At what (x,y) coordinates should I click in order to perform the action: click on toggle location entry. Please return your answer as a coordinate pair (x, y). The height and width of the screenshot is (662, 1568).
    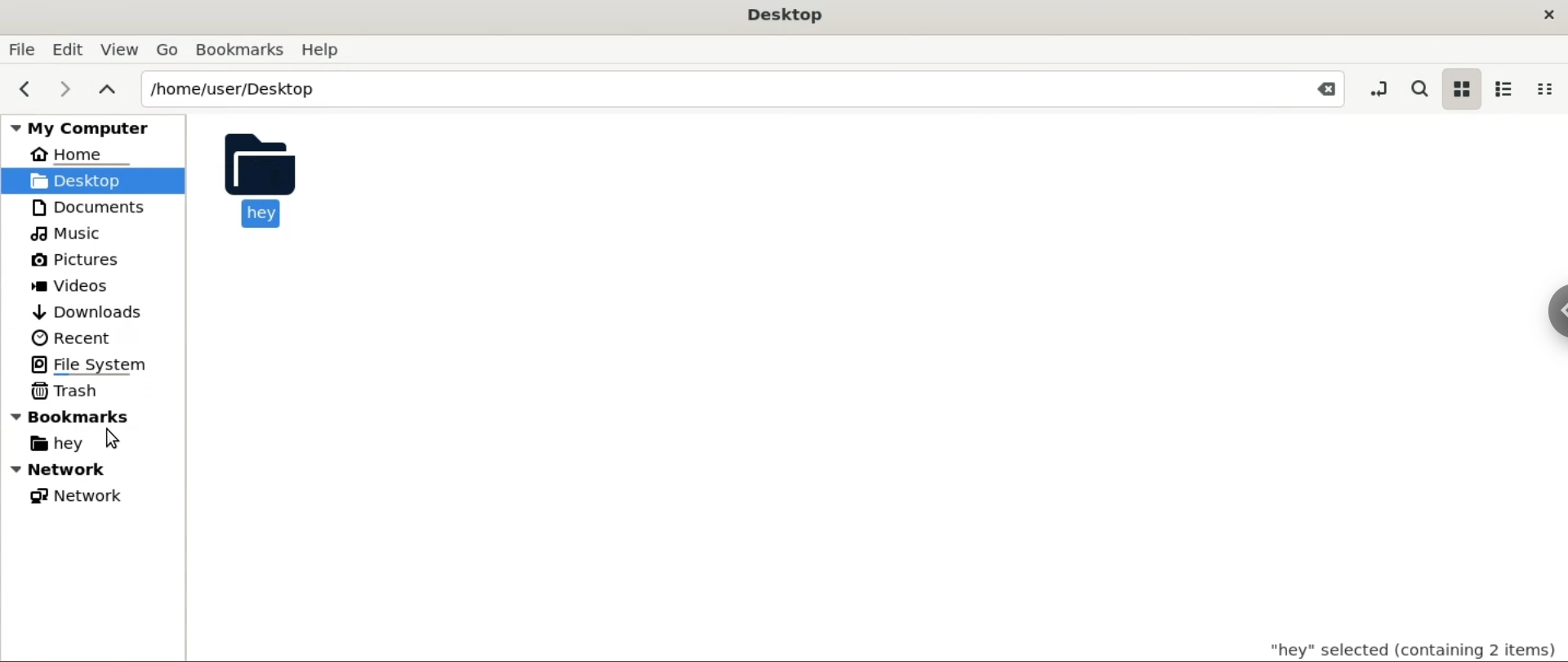
    Looking at the image, I should click on (1374, 89).